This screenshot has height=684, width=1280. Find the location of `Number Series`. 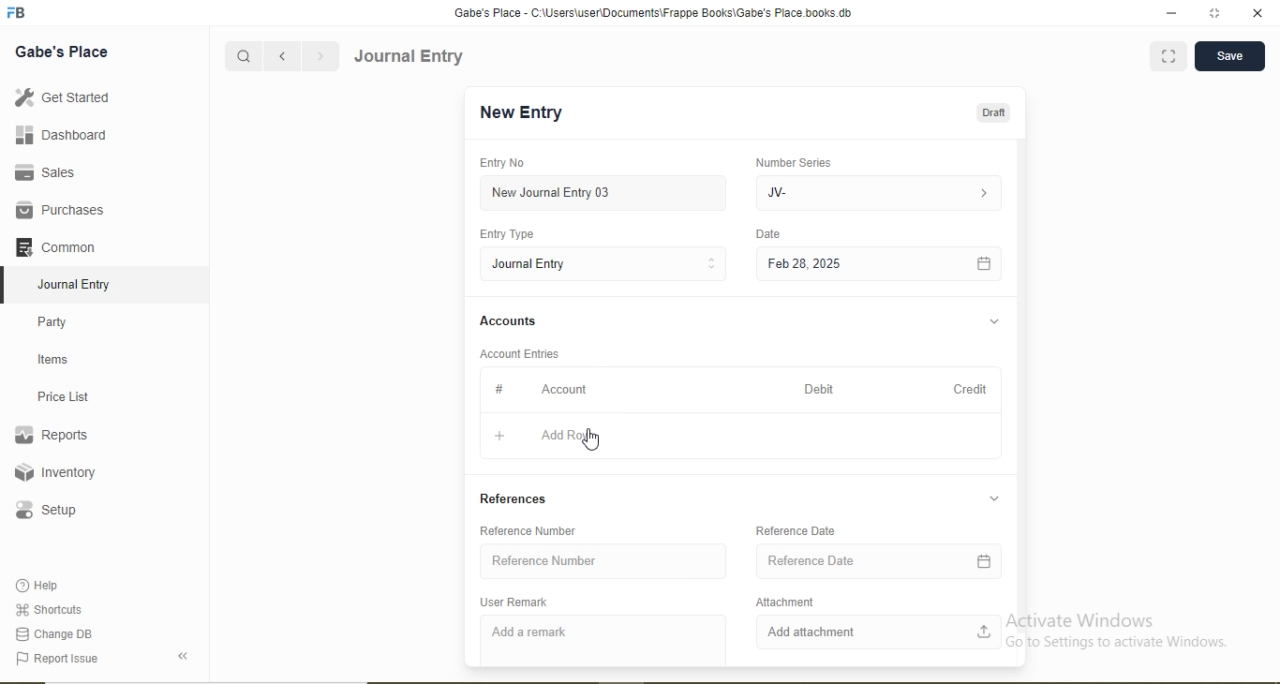

Number Series is located at coordinates (793, 163).